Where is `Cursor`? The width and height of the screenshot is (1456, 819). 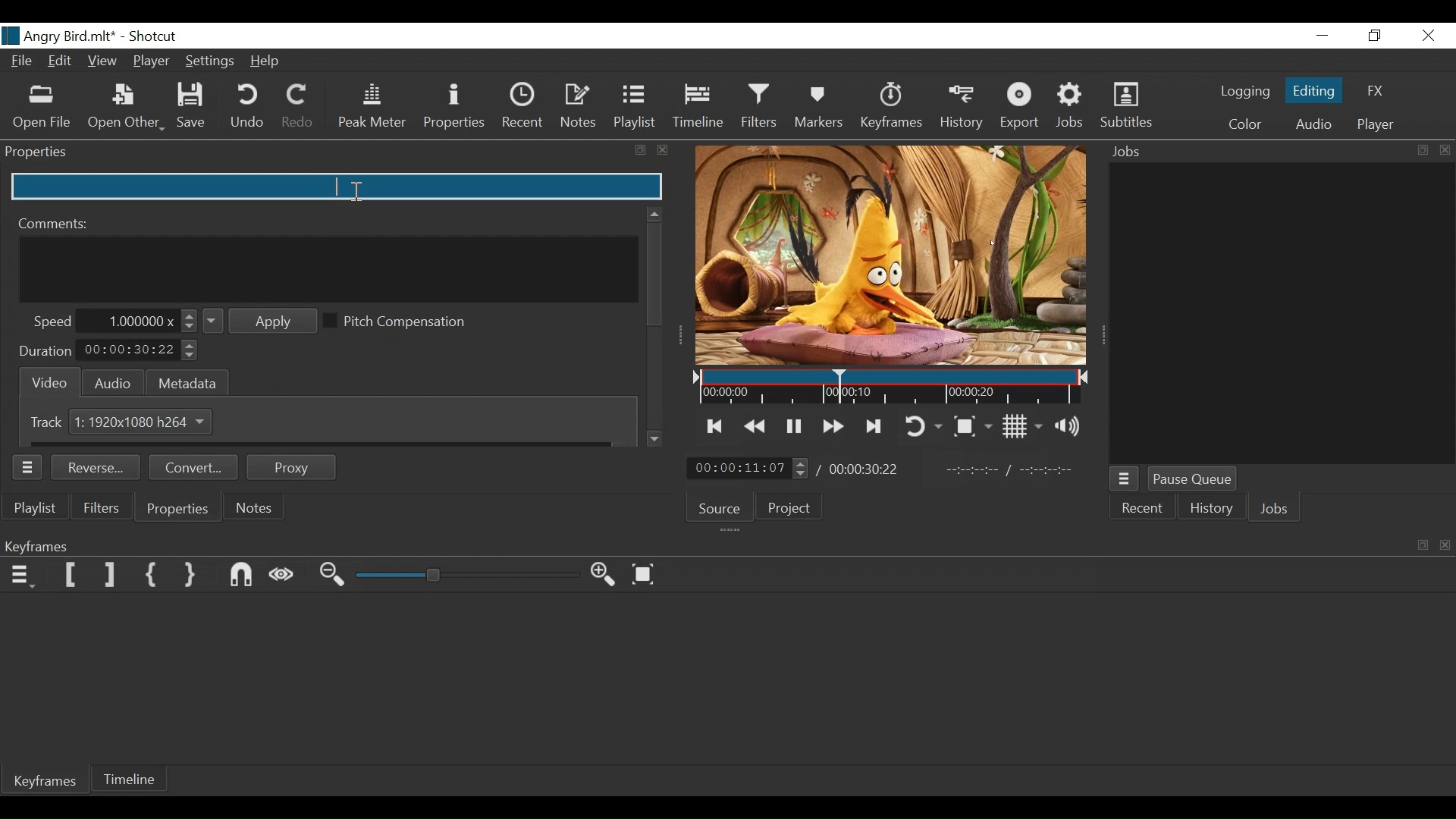 Cursor is located at coordinates (840, 388).